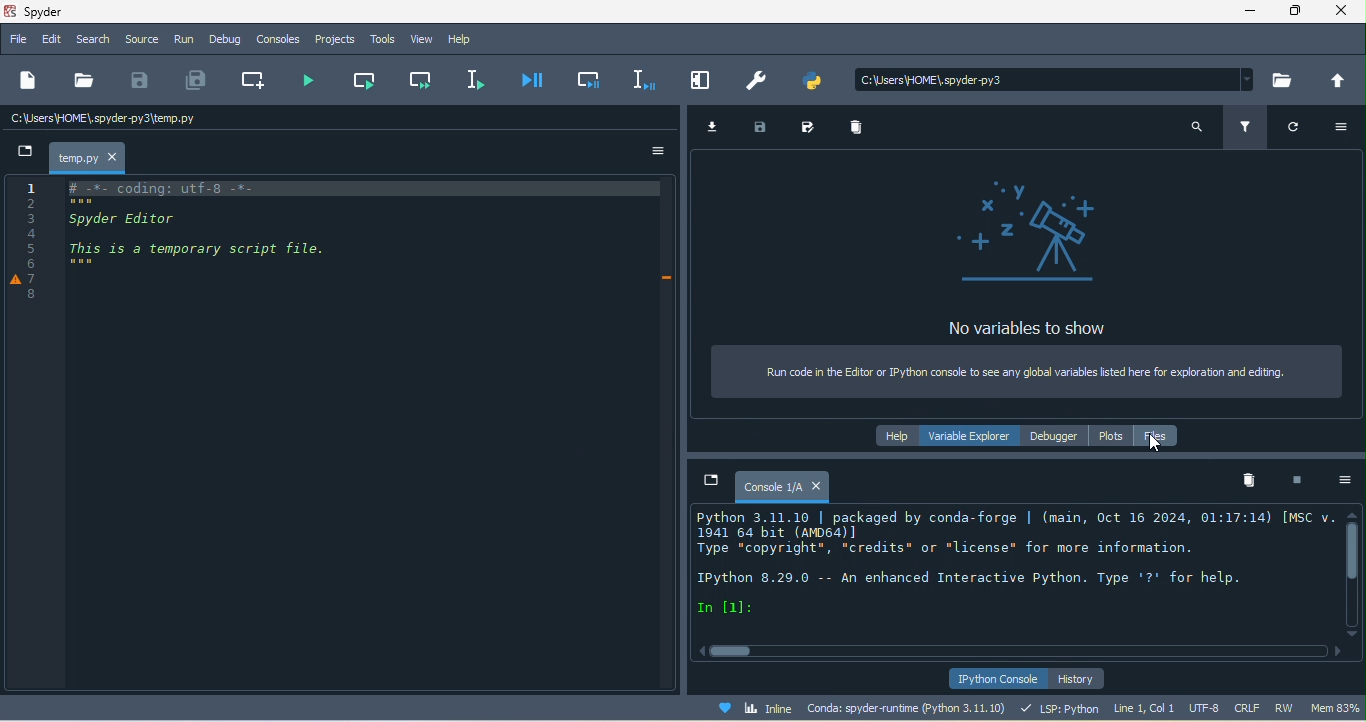 This screenshot has width=1366, height=722. Describe the element at coordinates (1283, 81) in the screenshot. I see `browse` at that location.